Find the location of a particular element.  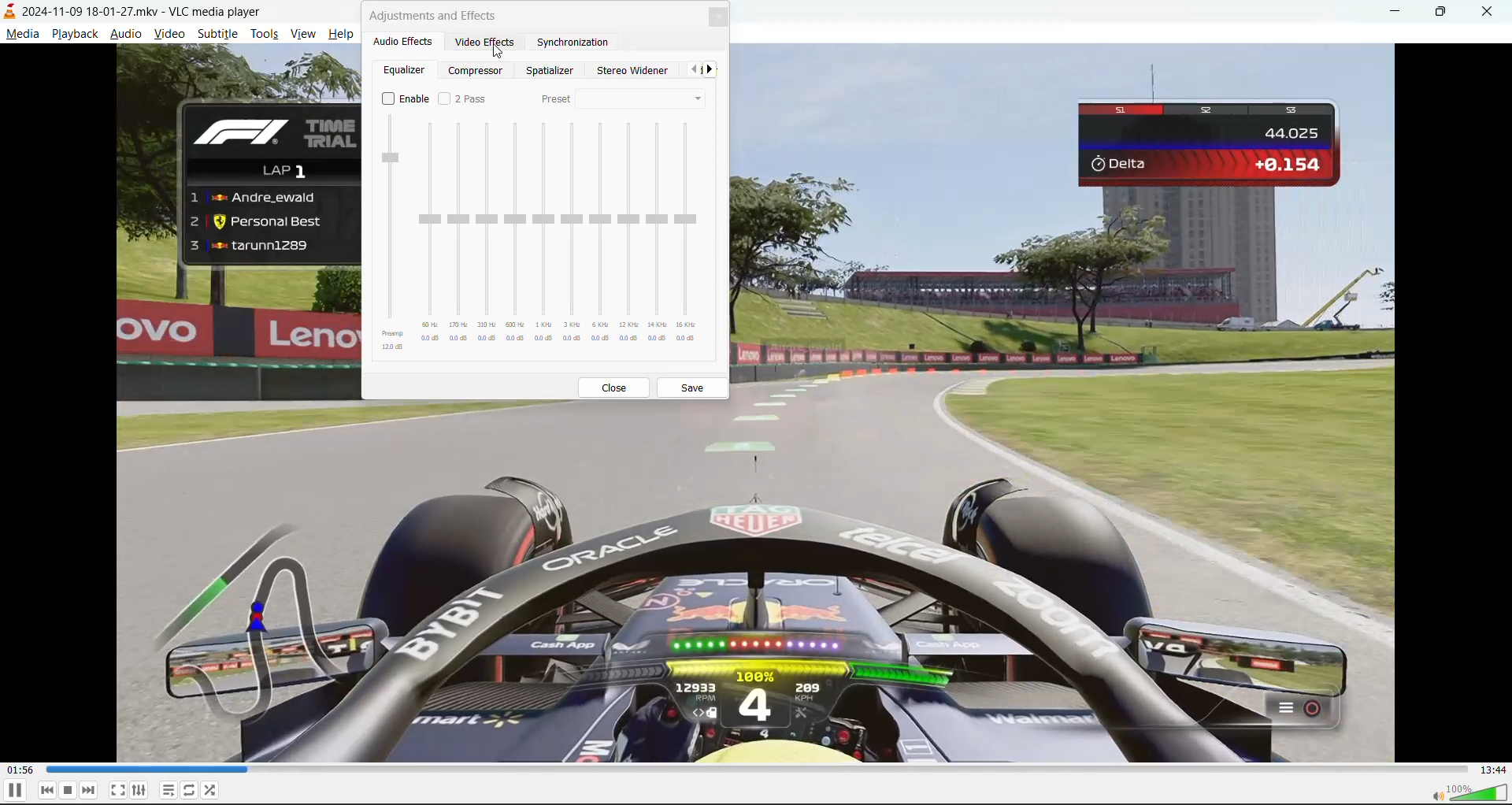

close is located at coordinates (616, 391).